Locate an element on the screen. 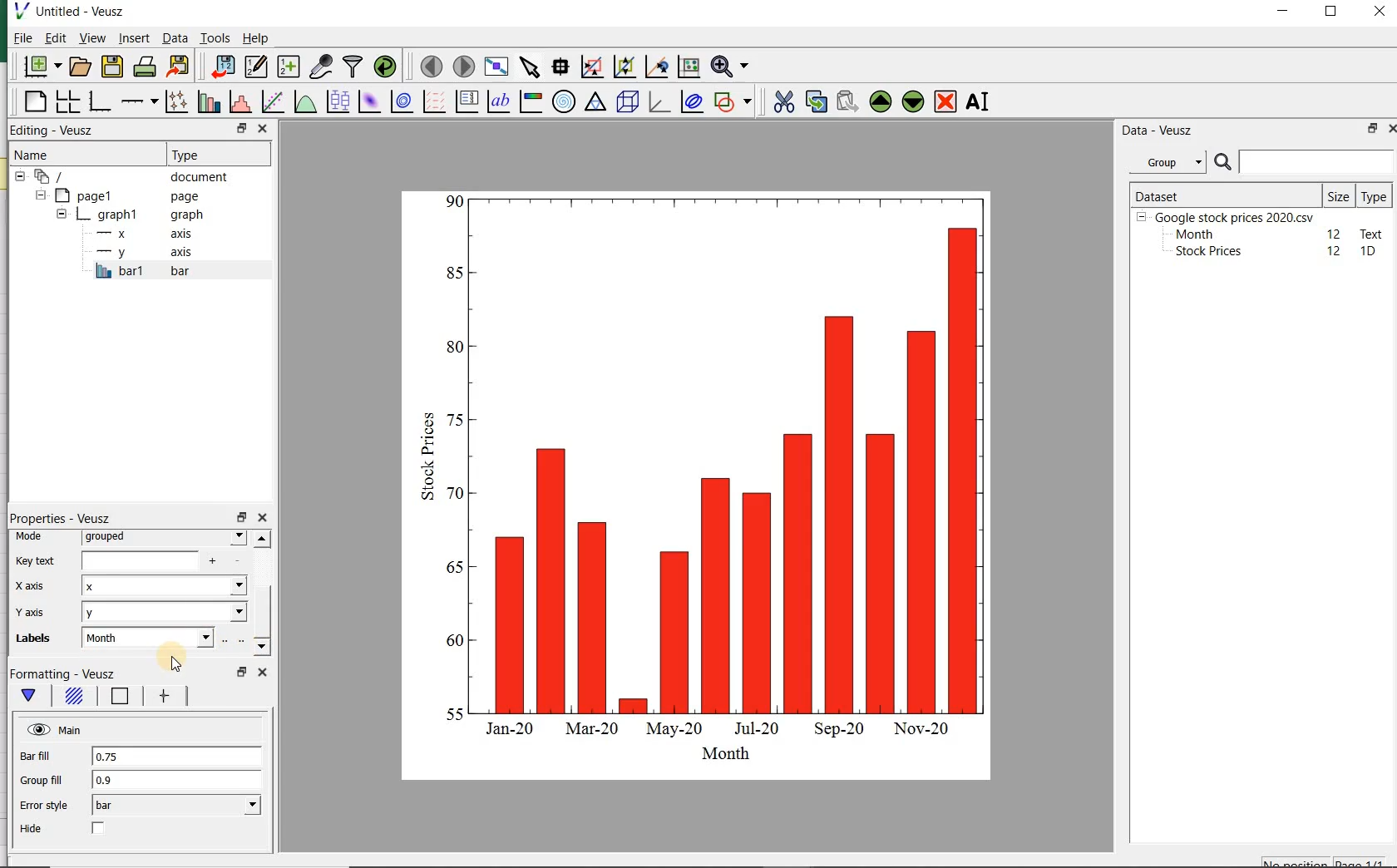  Data - Veusz is located at coordinates (1158, 130).